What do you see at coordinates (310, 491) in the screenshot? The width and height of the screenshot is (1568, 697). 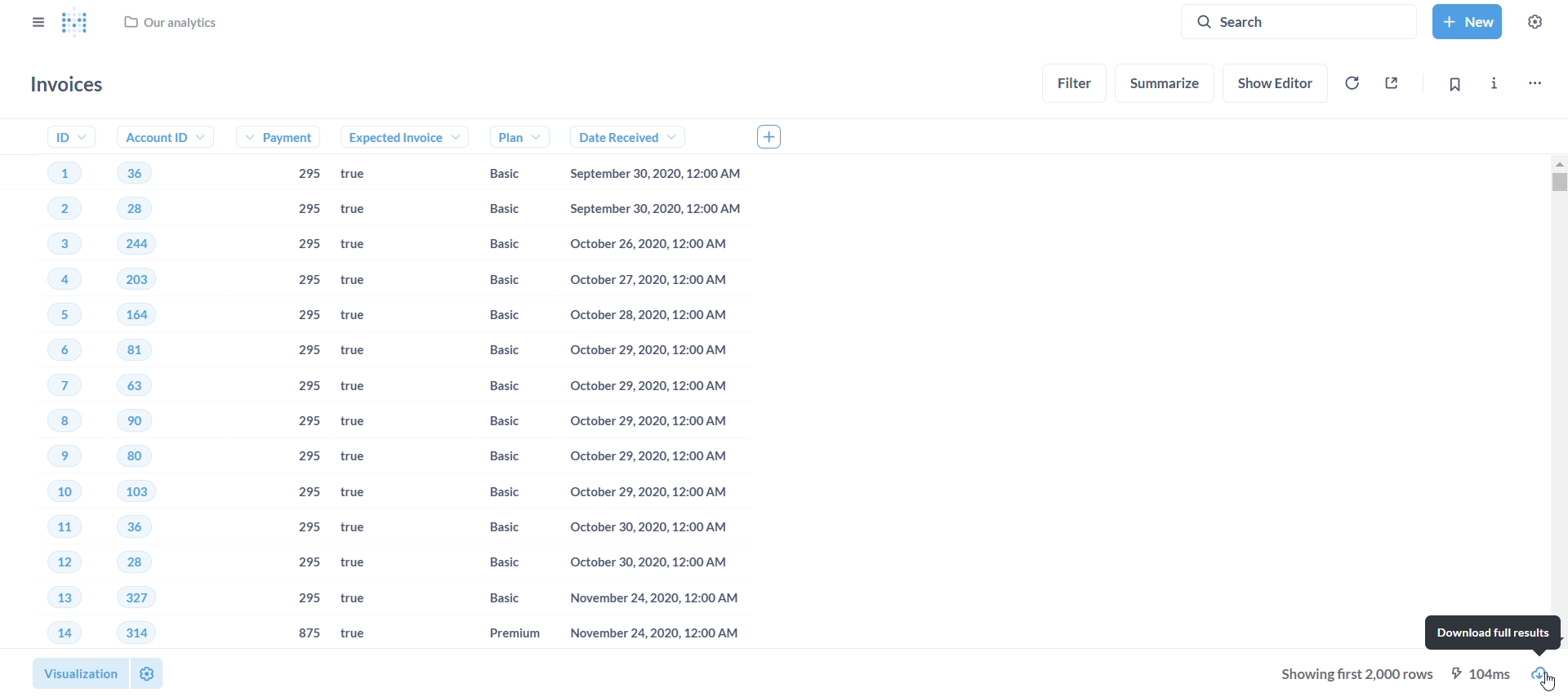 I see `295` at bounding box center [310, 491].